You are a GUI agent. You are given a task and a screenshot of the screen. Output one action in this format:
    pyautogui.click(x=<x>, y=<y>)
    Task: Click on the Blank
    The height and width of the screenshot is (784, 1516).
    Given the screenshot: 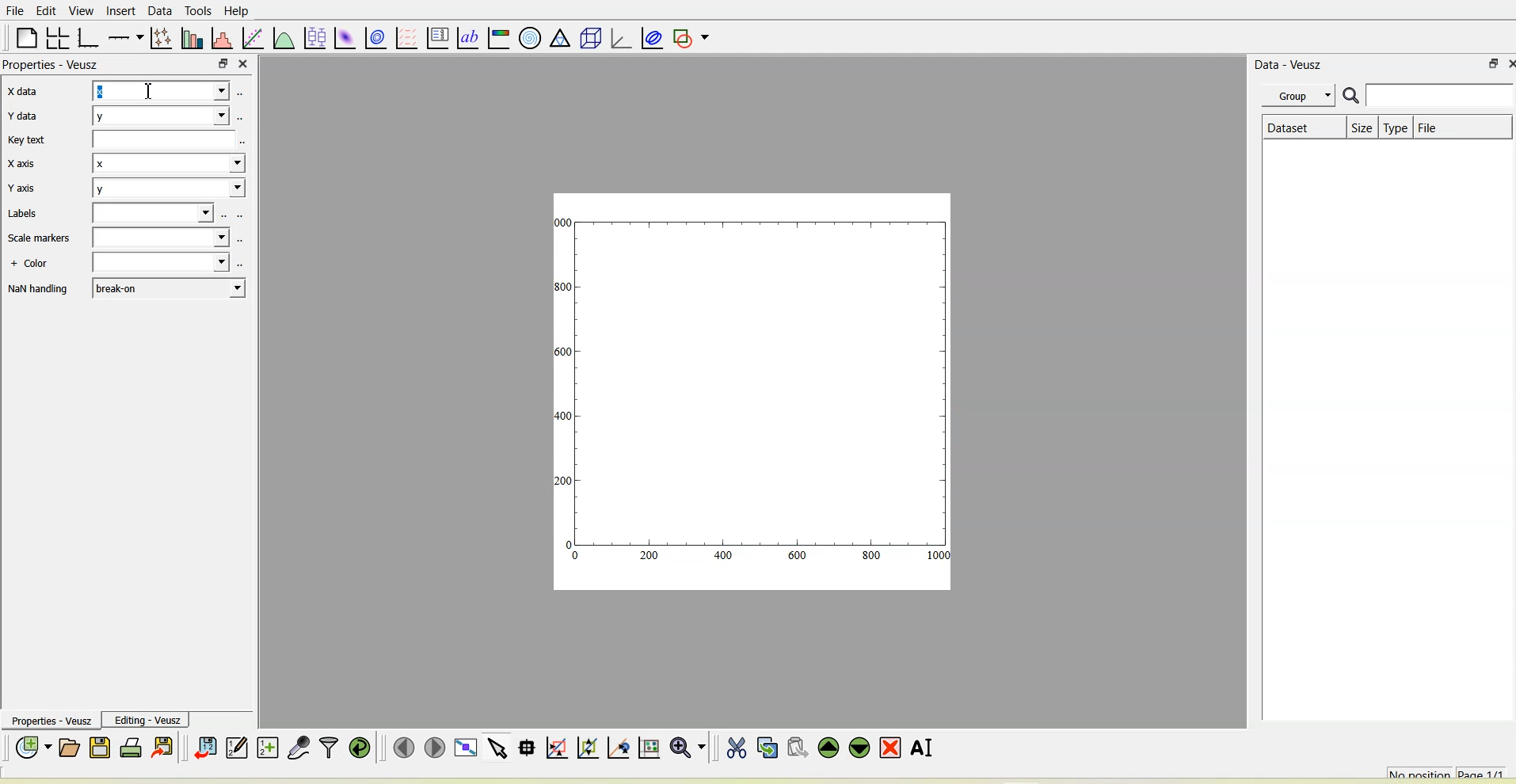 What is the action you would take?
    pyautogui.click(x=162, y=140)
    